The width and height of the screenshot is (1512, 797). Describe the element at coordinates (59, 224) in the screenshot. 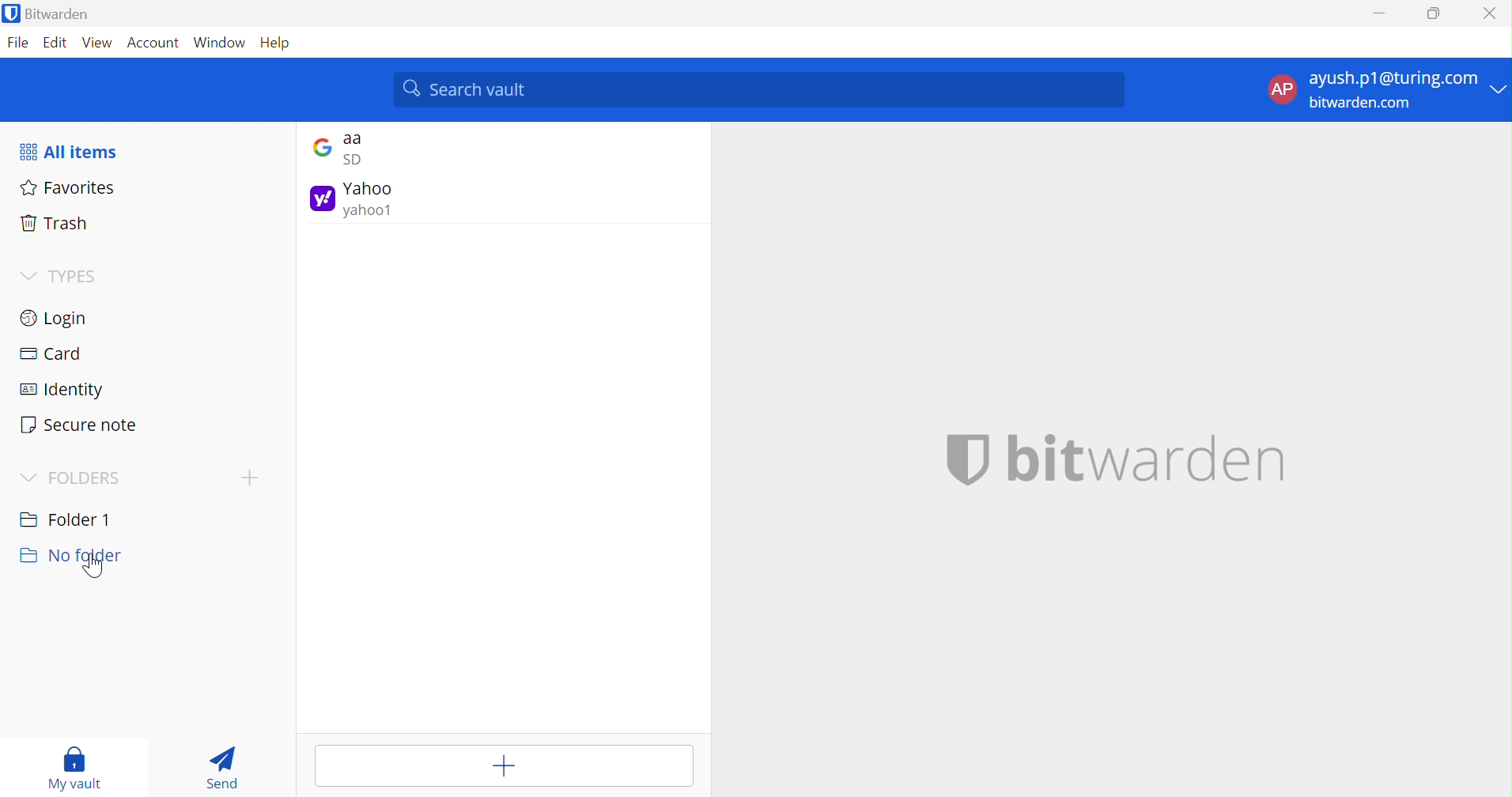

I see `Trash` at that location.